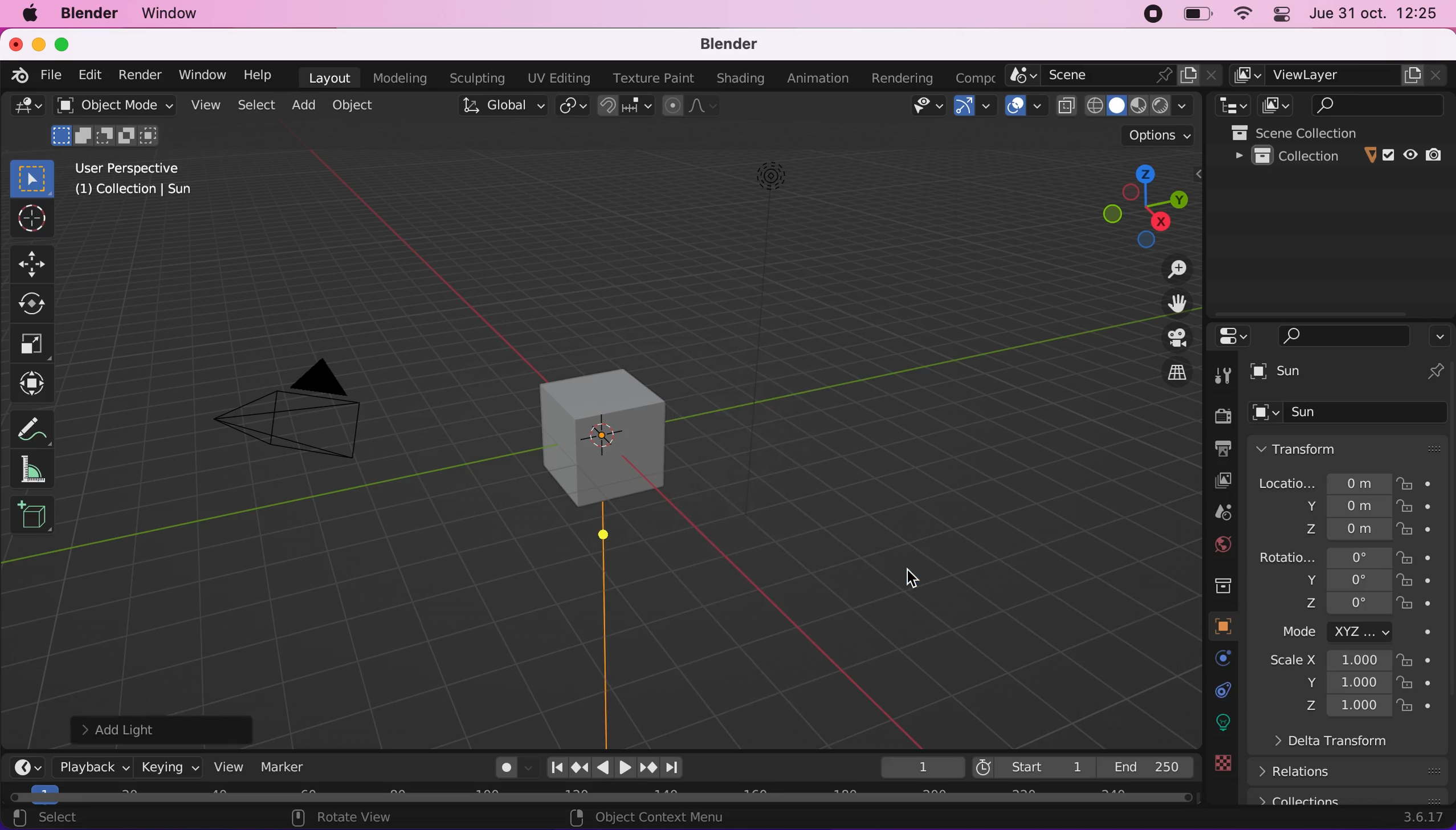  Describe the element at coordinates (1144, 105) in the screenshot. I see `viewport shading` at that location.